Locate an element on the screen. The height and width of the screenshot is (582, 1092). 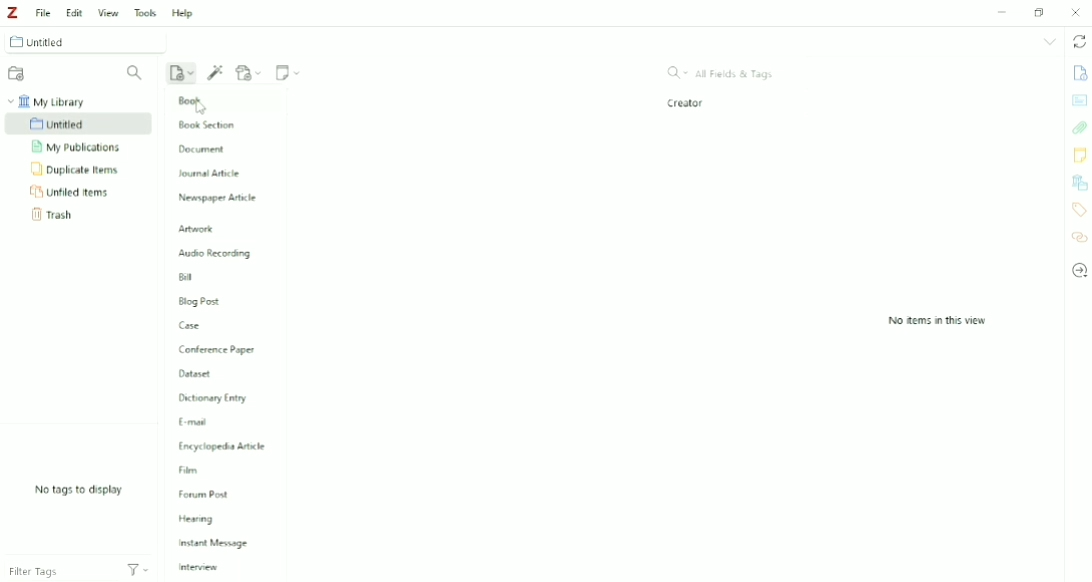
File is located at coordinates (42, 12).